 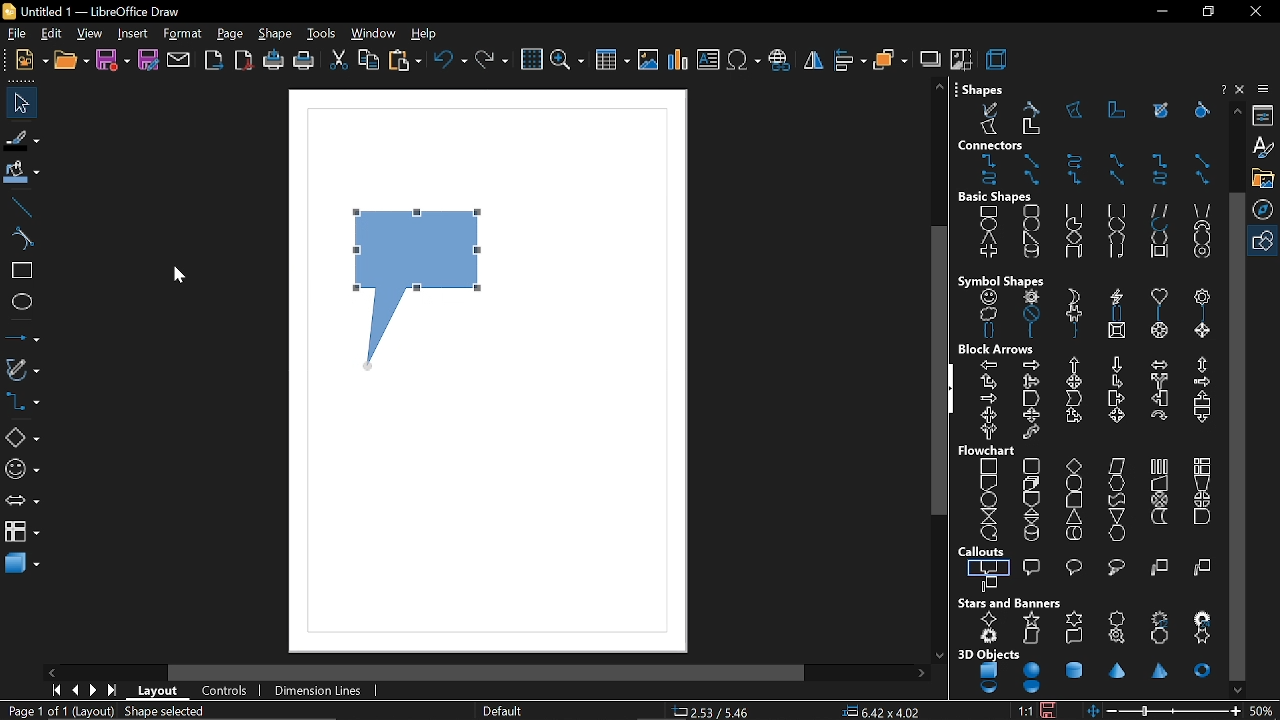 What do you see at coordinates (814, 61) in the screenshot?
I see `flip` at bounding box center [814, 61].